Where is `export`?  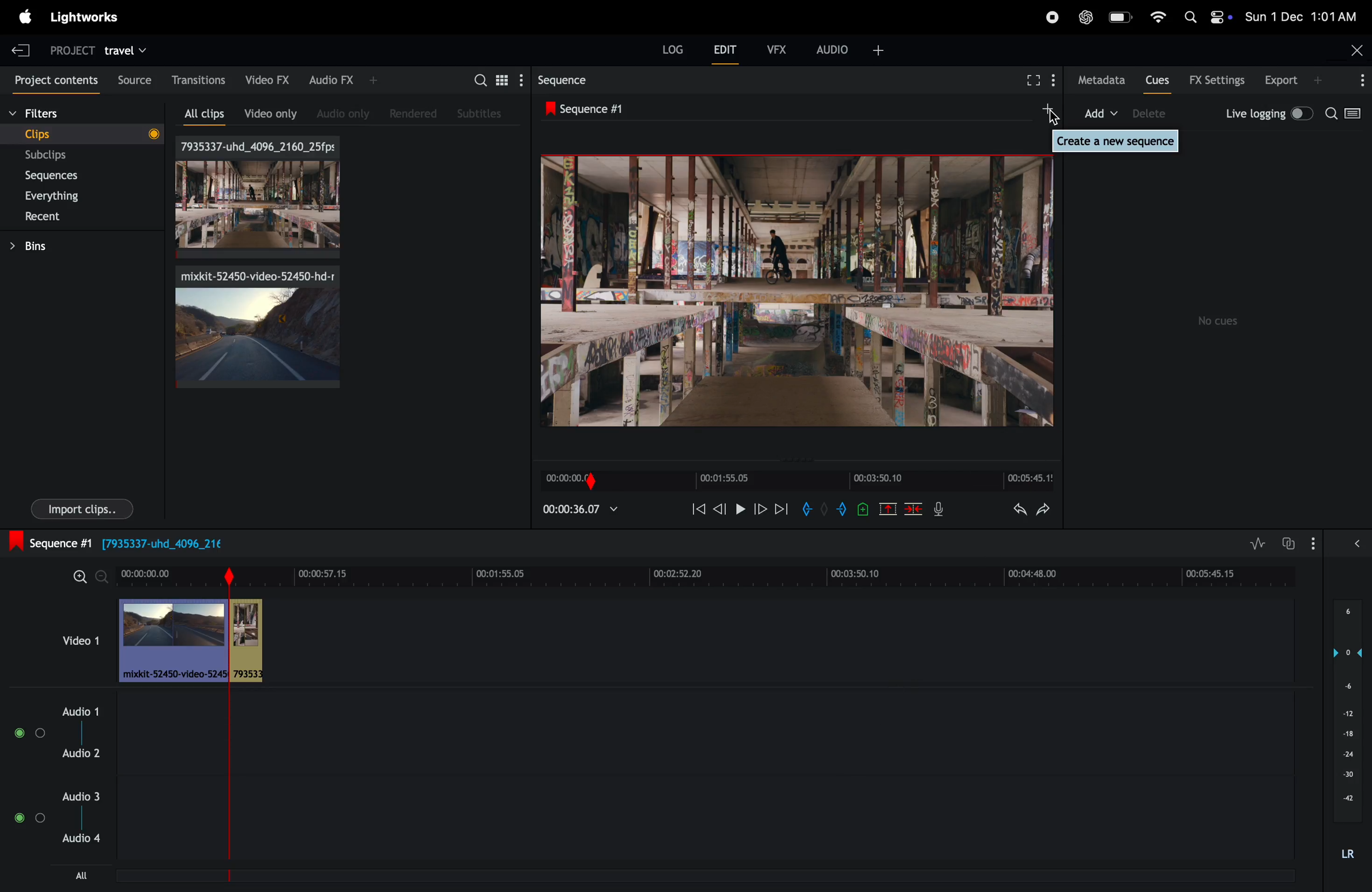
export is located at coordinates (1294, 80).